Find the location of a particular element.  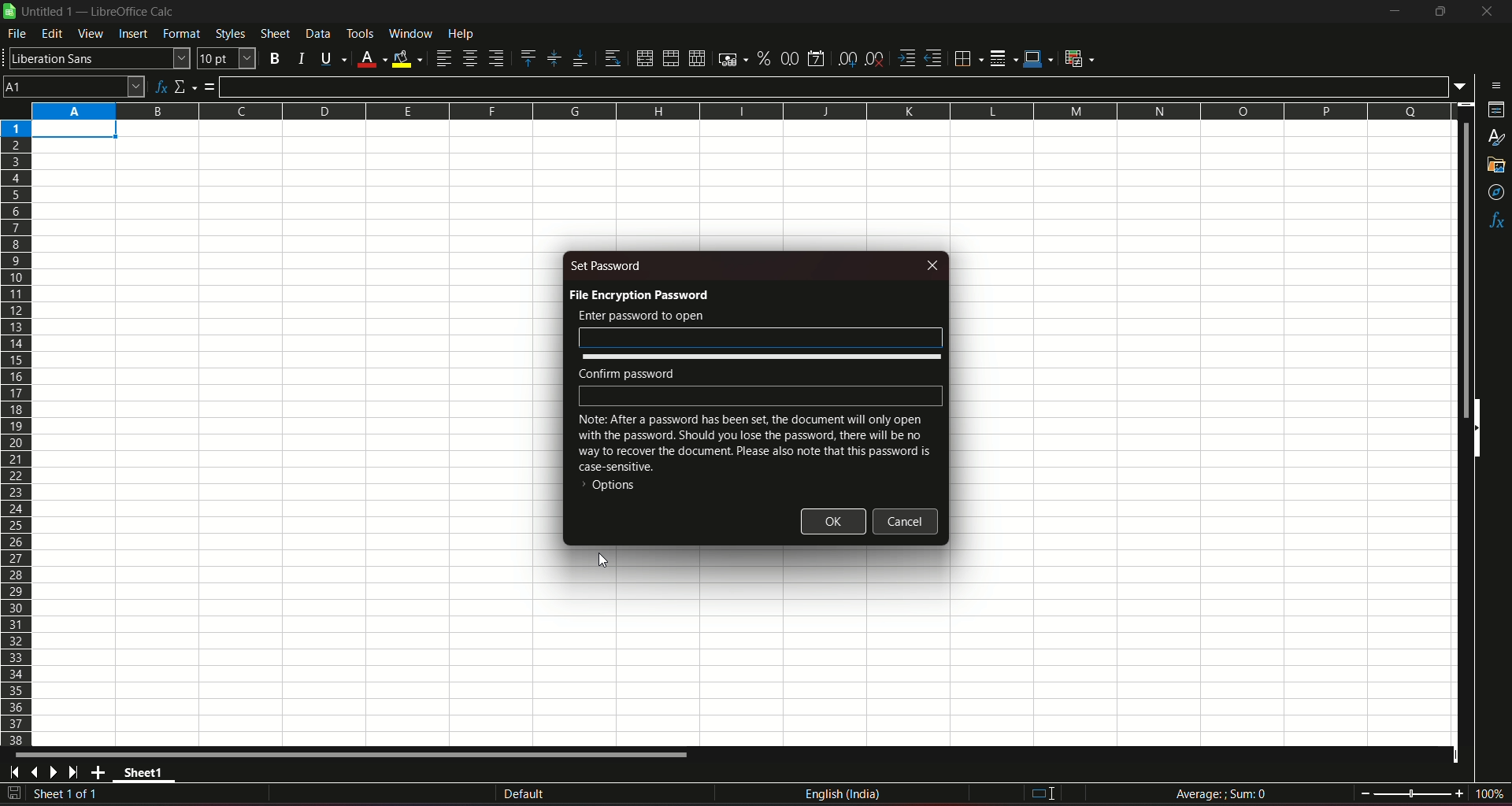

italic is located at coordinates (299, 57).